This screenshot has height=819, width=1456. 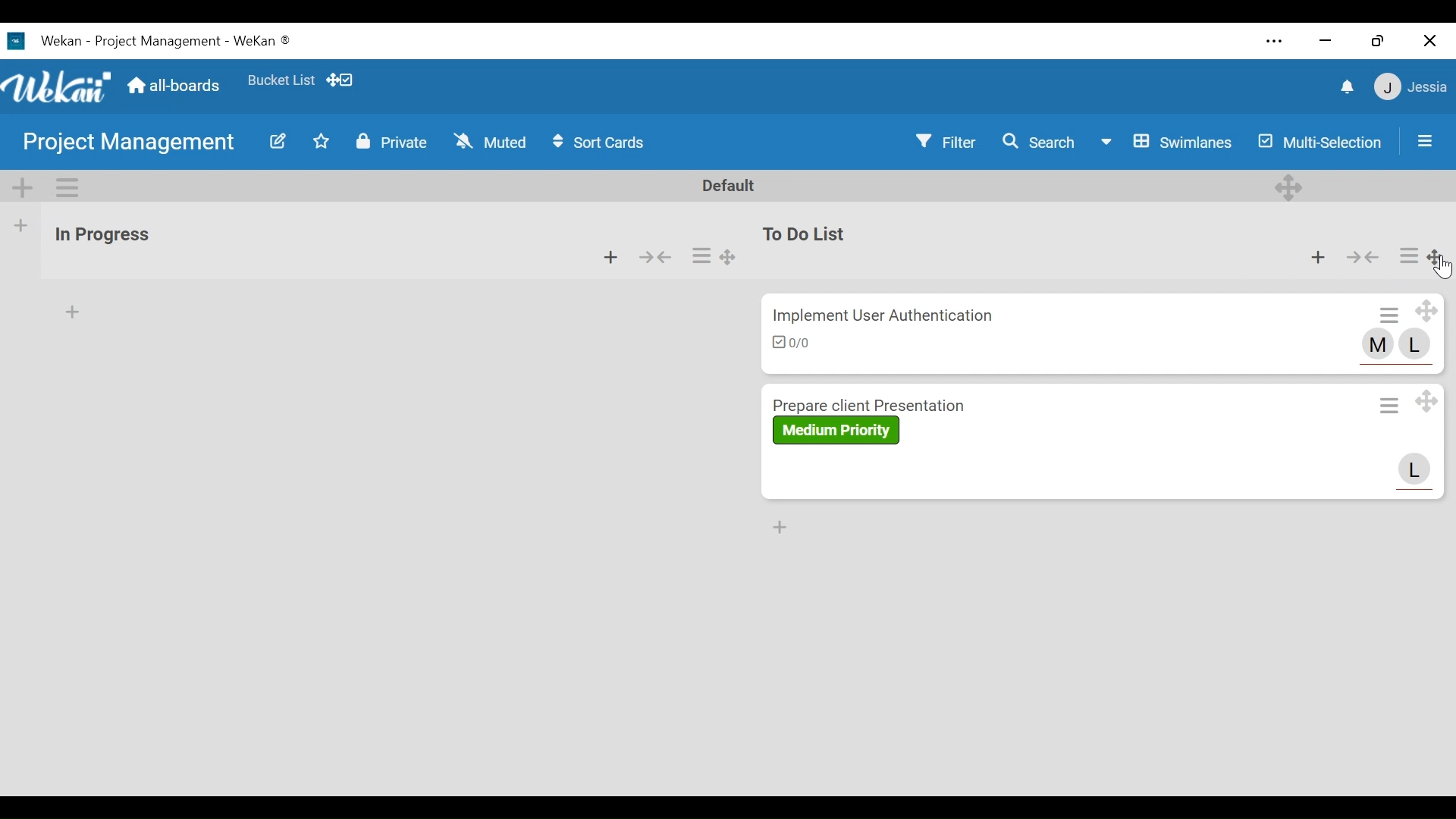 I want to click on Card, so click(x=970, y=442).